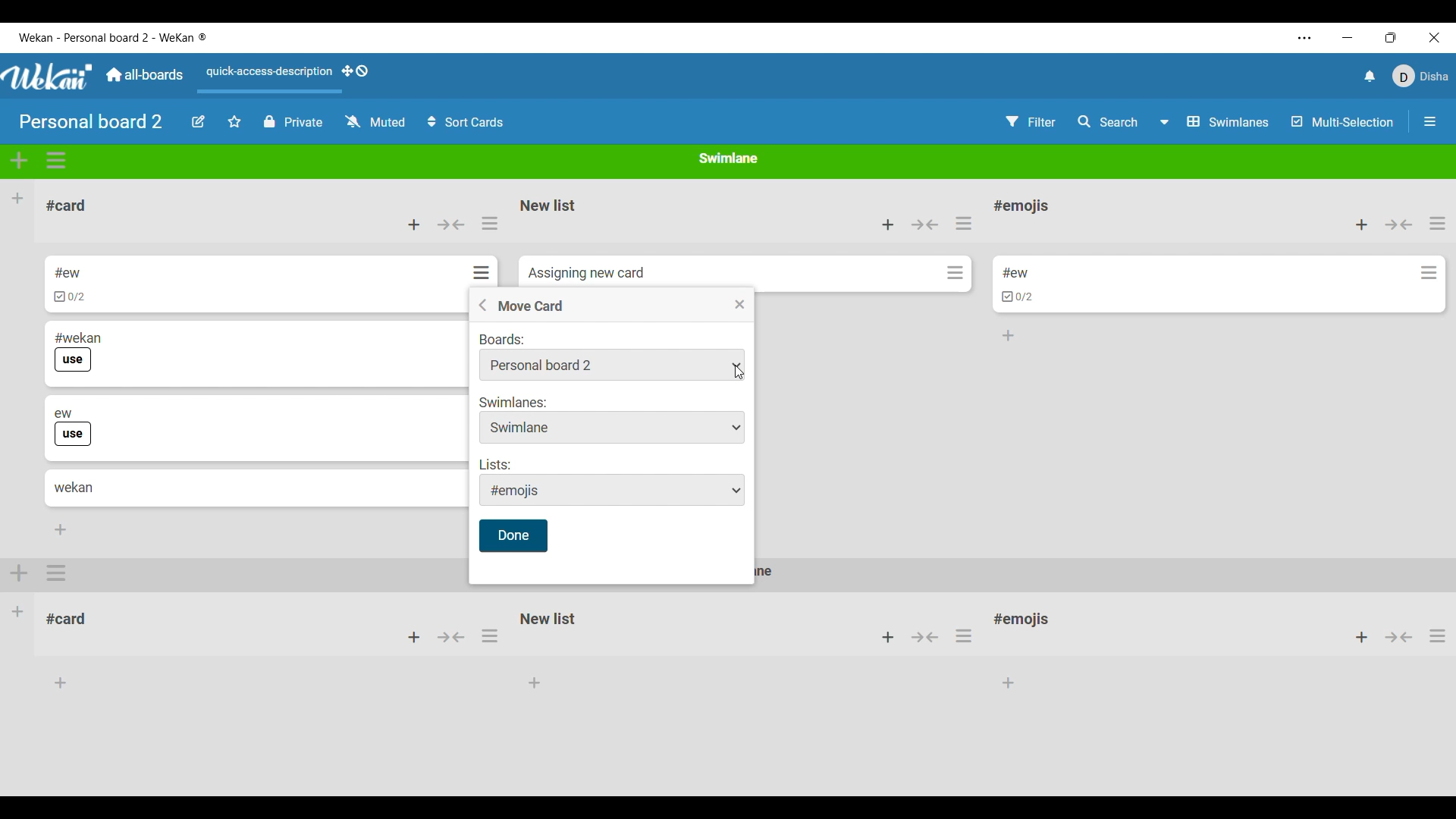  Describe the element at coordinates (612, 428) in the screenshot. I see `Swimlane options` at that location.